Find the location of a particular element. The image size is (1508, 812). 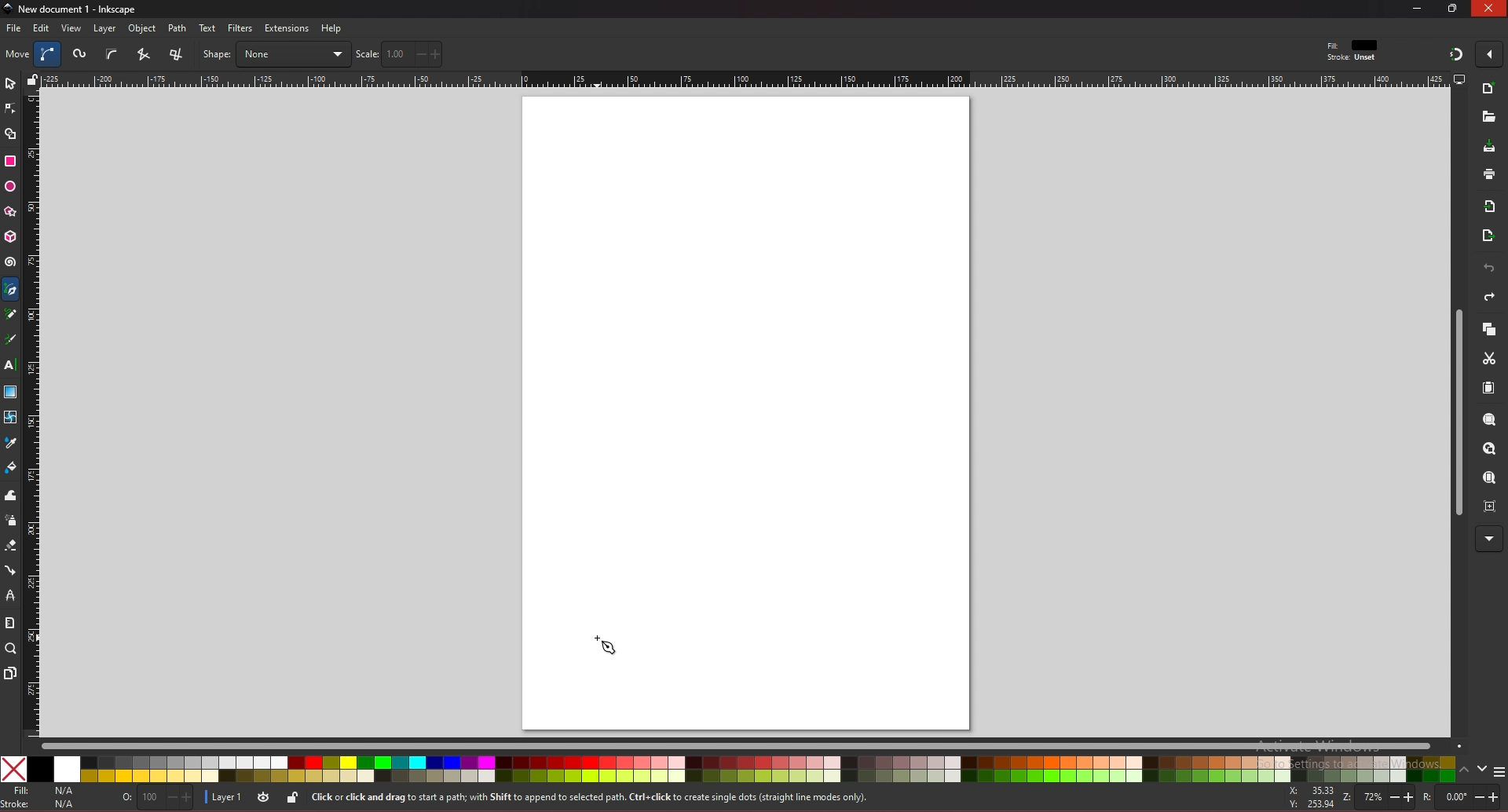

b spline path is located at coordinates (112, 53).